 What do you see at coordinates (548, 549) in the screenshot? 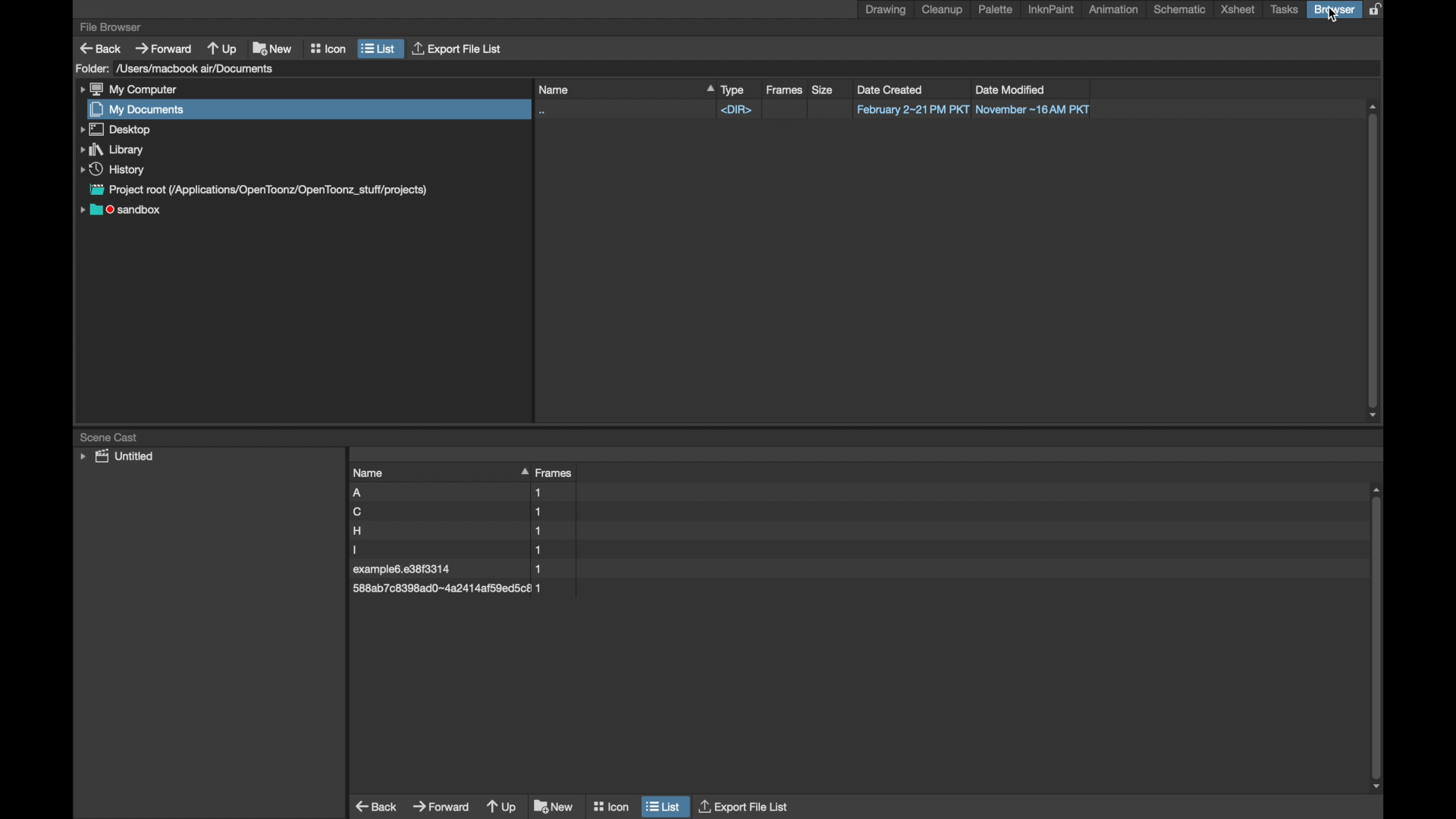
I see `1` at bounding box center [548, 549].